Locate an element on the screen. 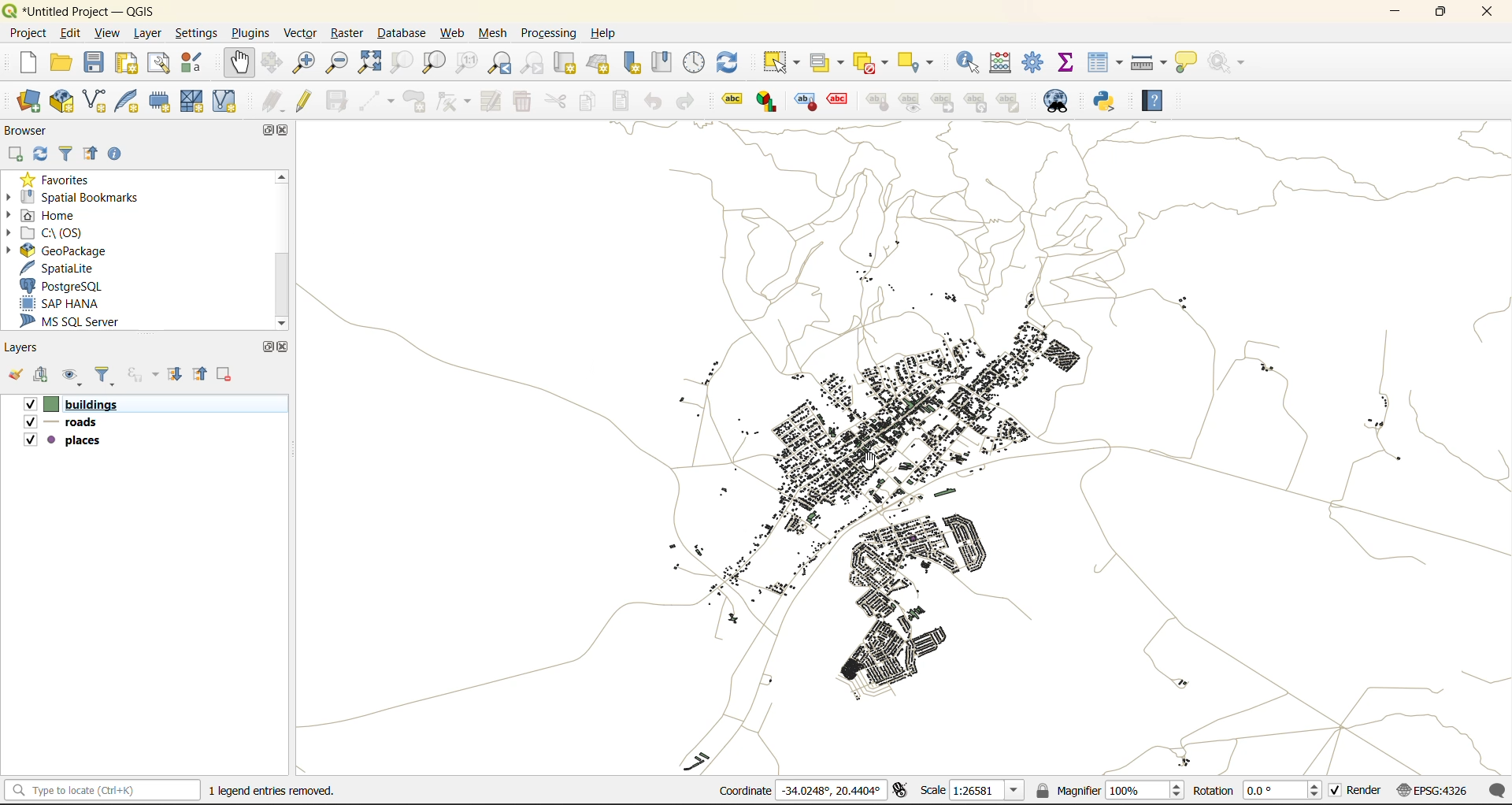  open is located at coordinates (61, 63).